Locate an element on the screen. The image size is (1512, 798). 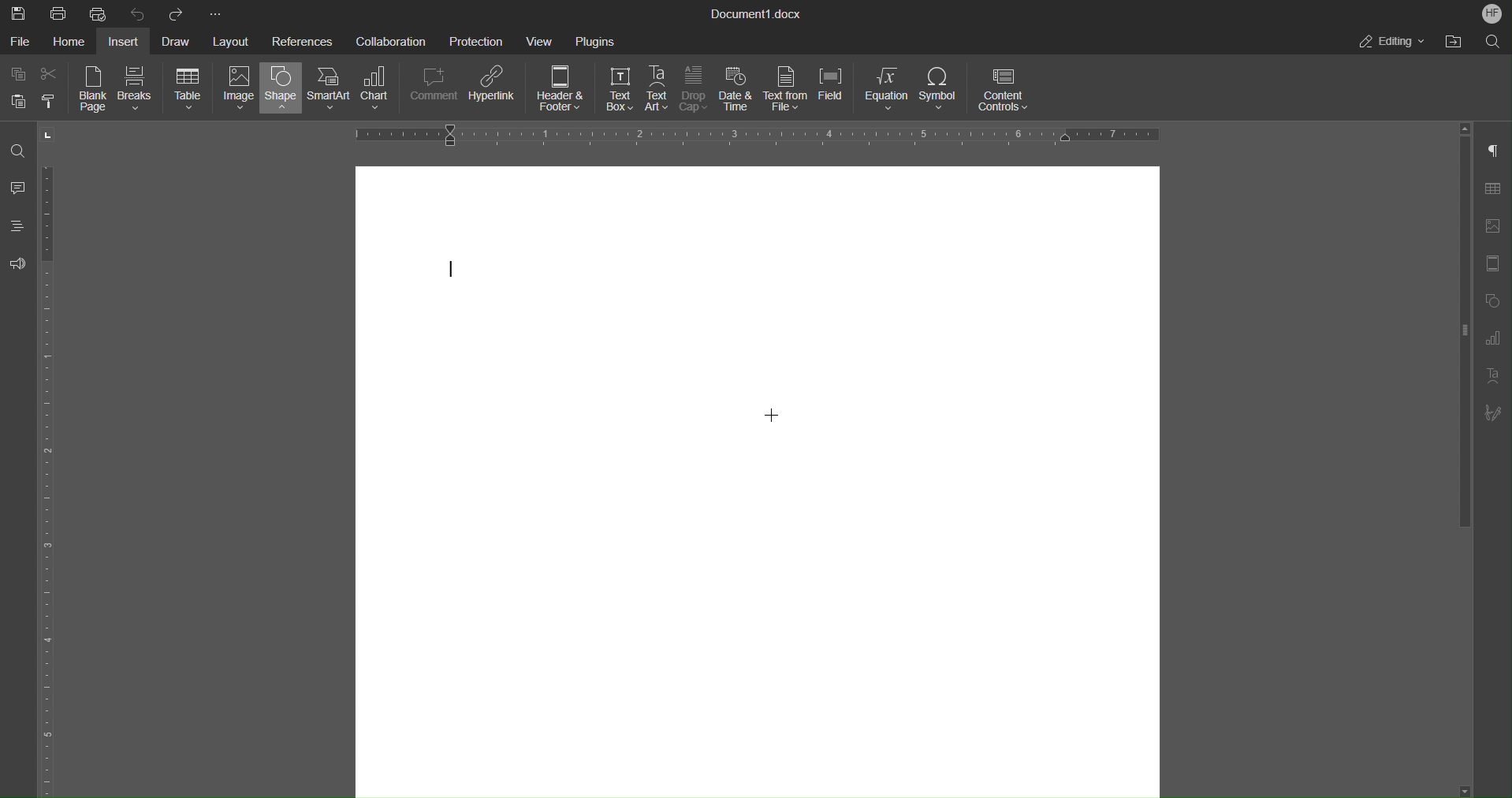
Graph is located at coordinates (1499, 338).